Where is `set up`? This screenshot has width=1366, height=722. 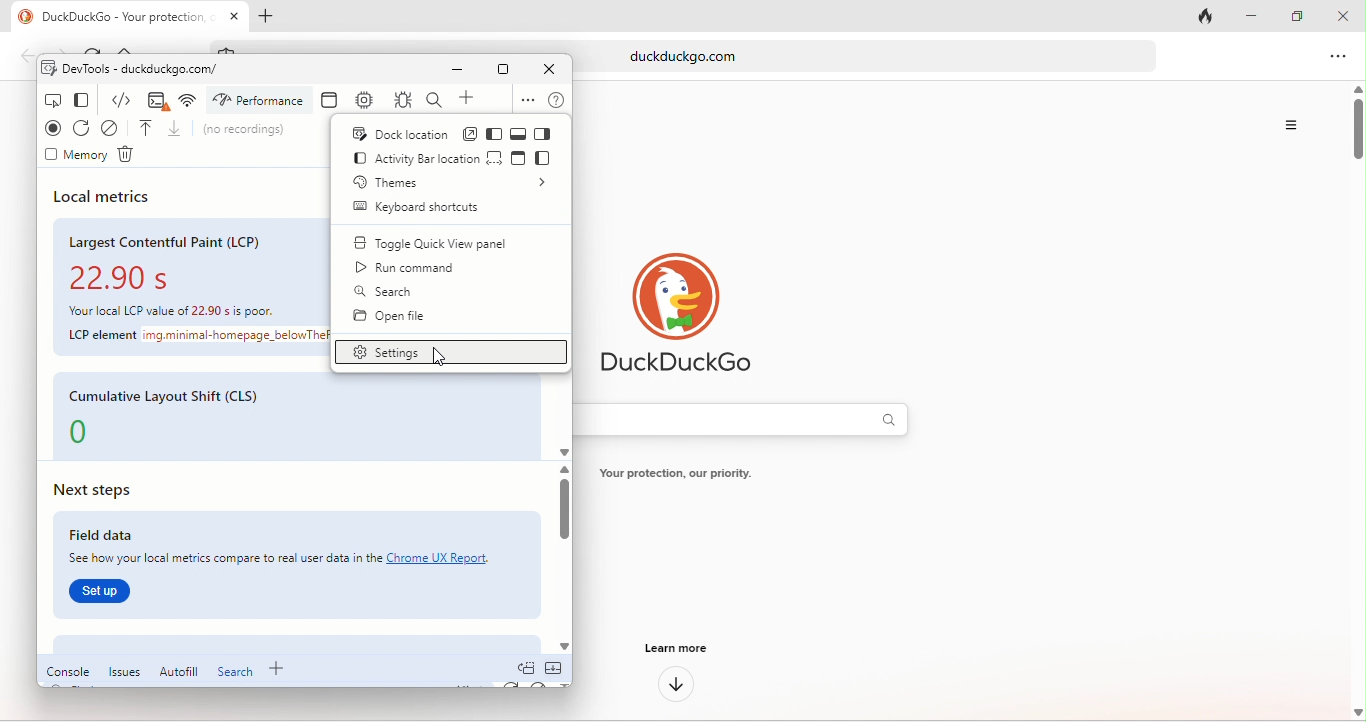
set up is located at coordinates (100, 592).